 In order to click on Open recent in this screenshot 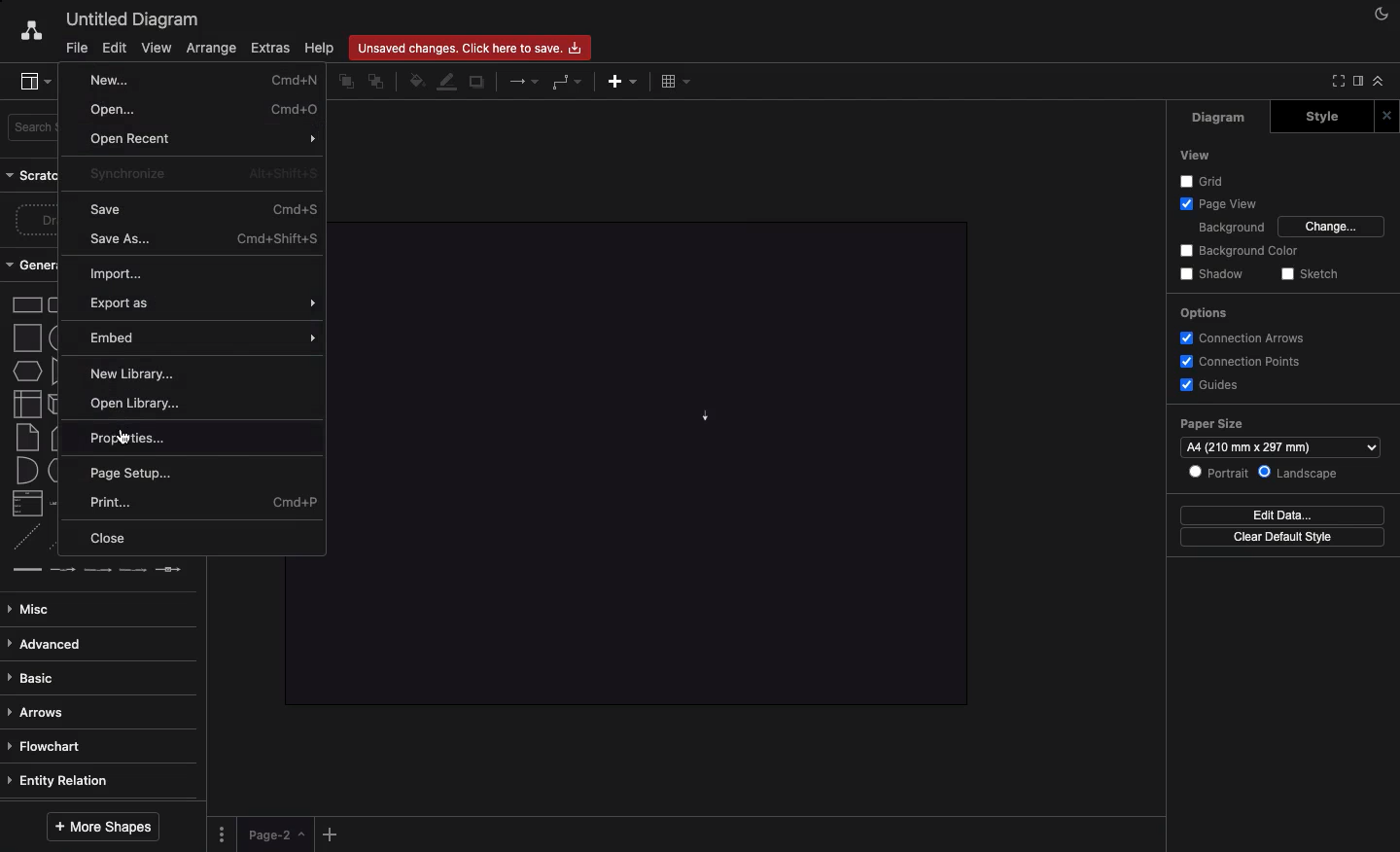, I will do `click(205, 141)`.